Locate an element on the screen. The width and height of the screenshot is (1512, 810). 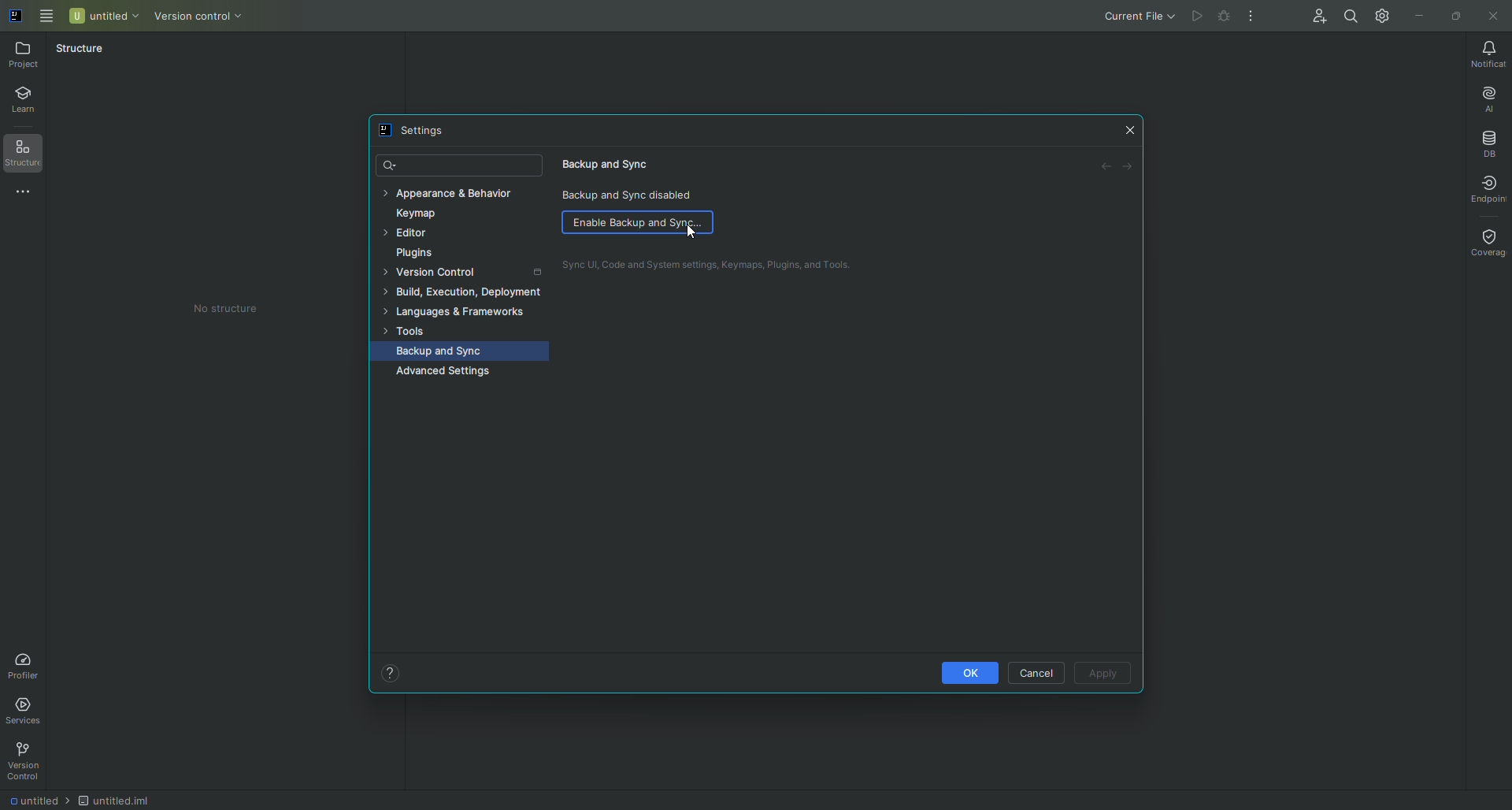
Coverage is located at coordinates (1486, 241).